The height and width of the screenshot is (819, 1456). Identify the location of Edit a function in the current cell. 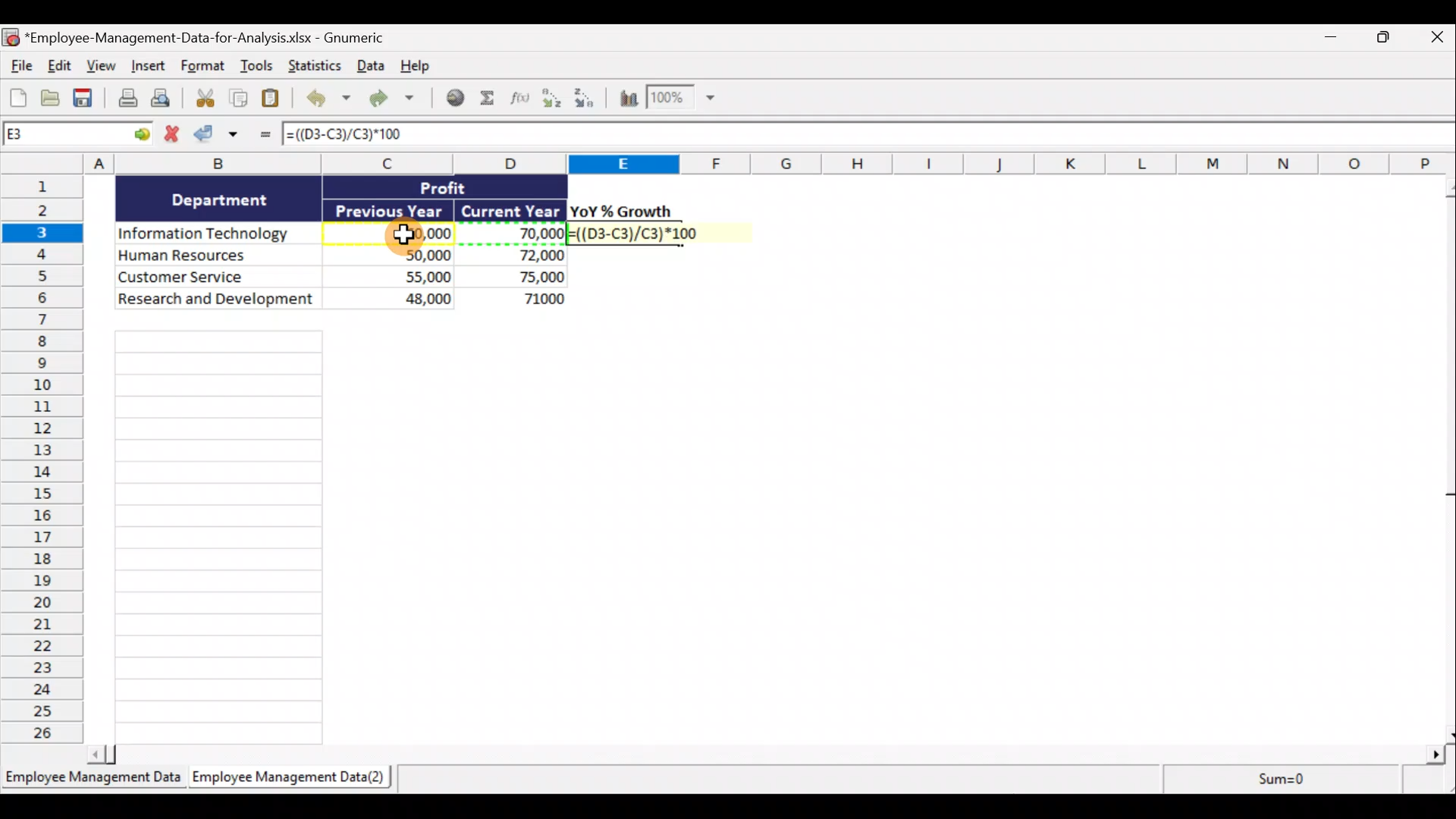
(524, 102).